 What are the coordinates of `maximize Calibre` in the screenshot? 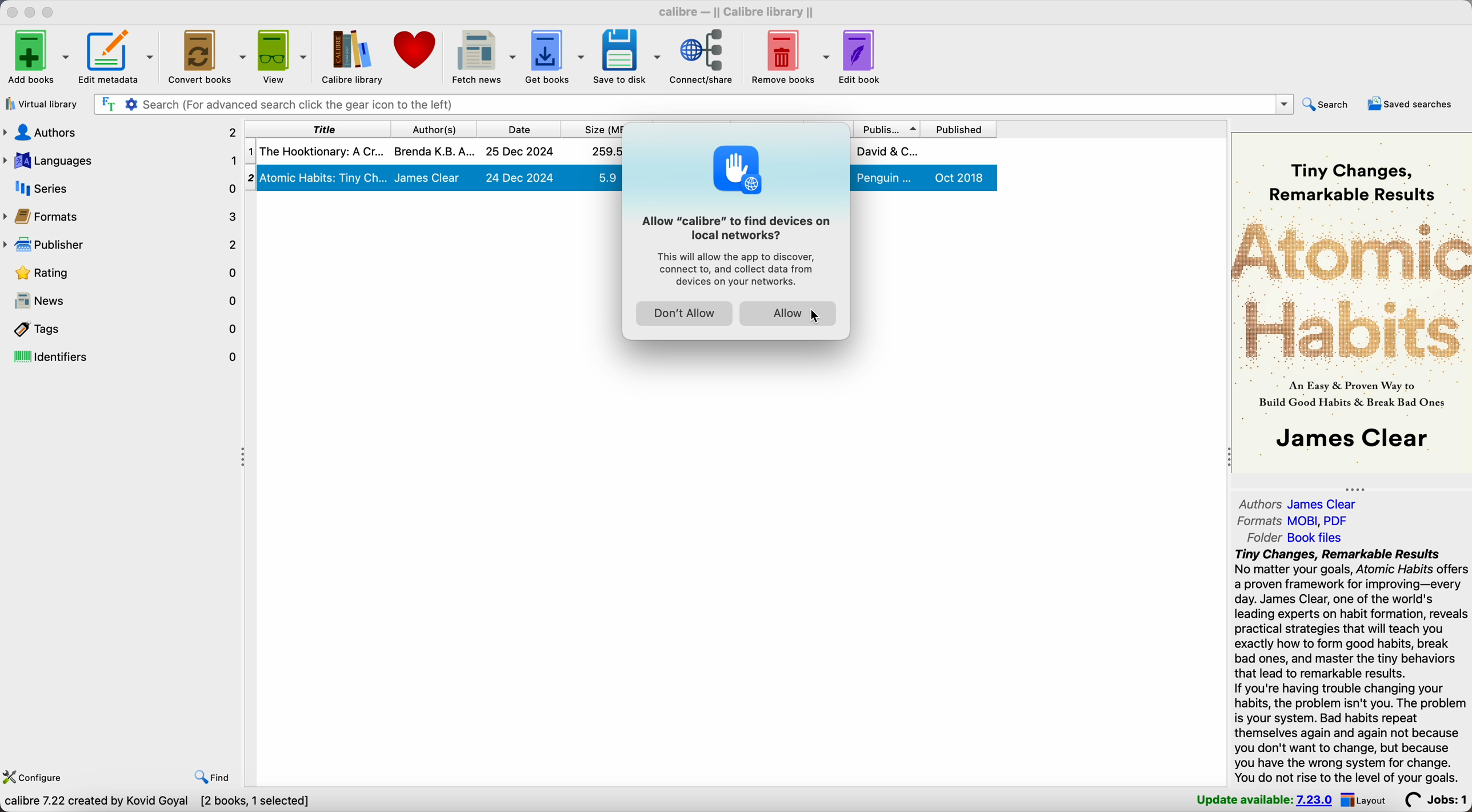 It's located at (51, 11).